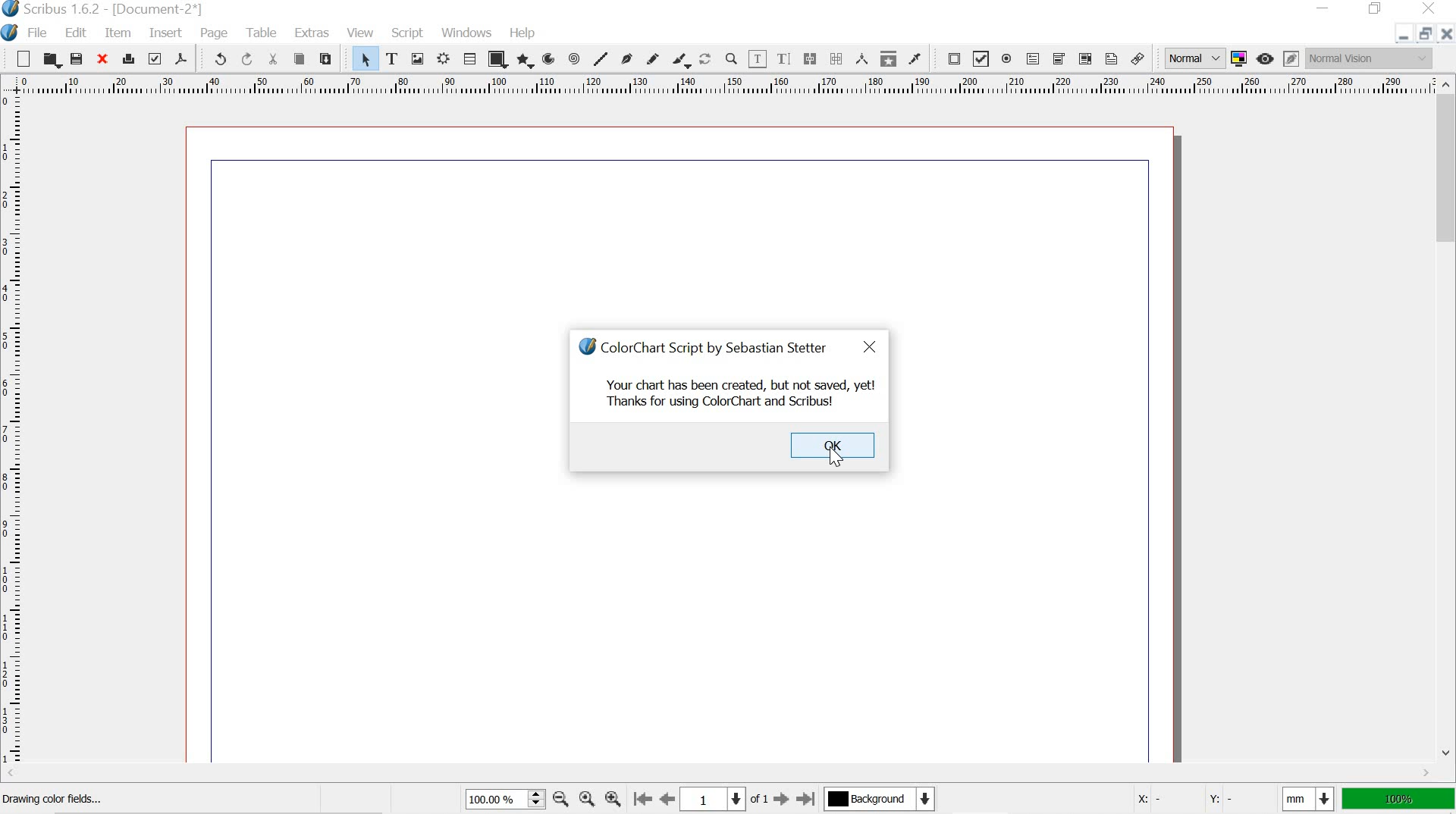 This screenshot has width=1456, height=814. What do you see at coordinates (325, 58) in the screenshot?
I see `paste` at bounding box center [325, 58].